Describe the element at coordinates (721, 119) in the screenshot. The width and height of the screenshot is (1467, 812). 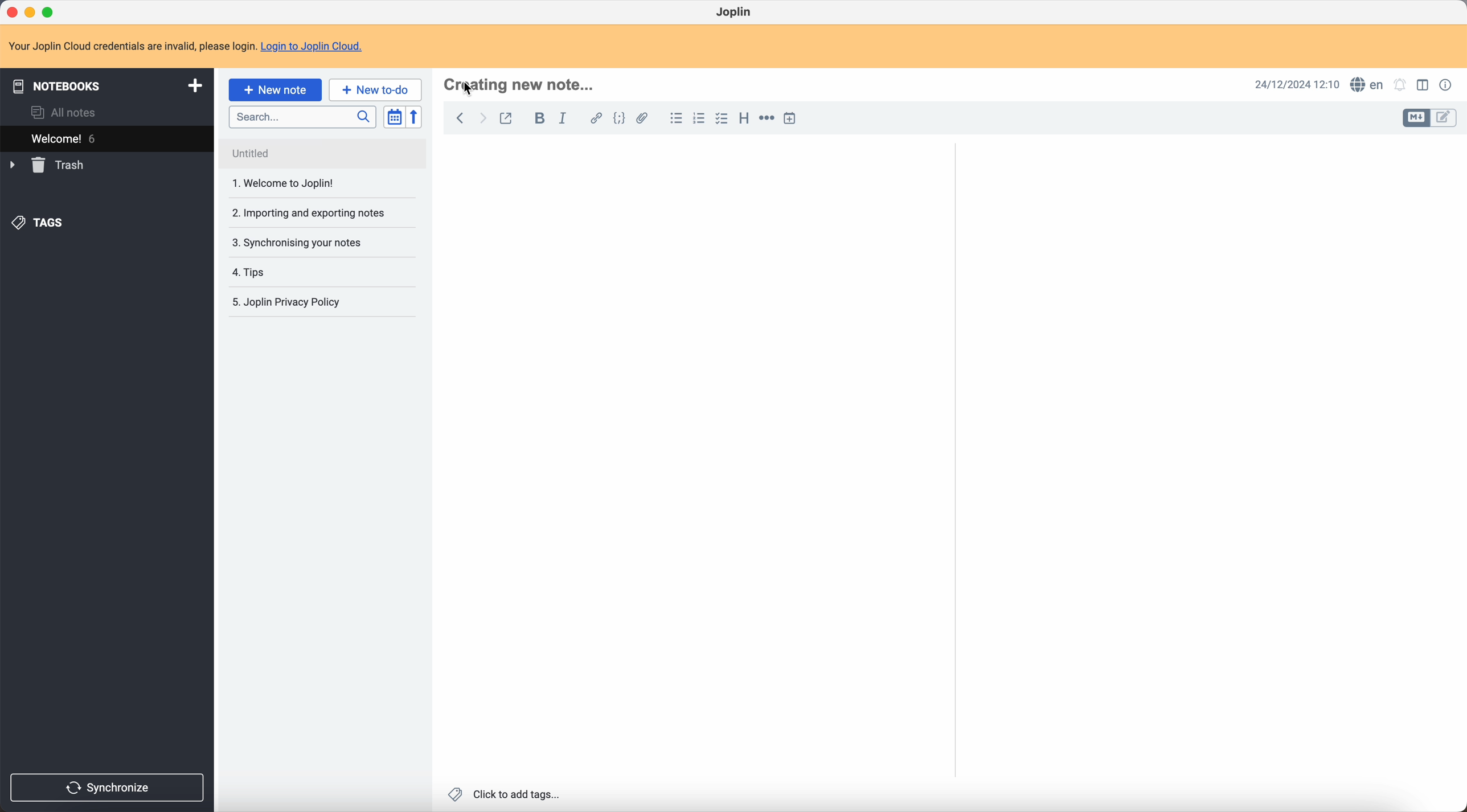
I see `check list` at that location.